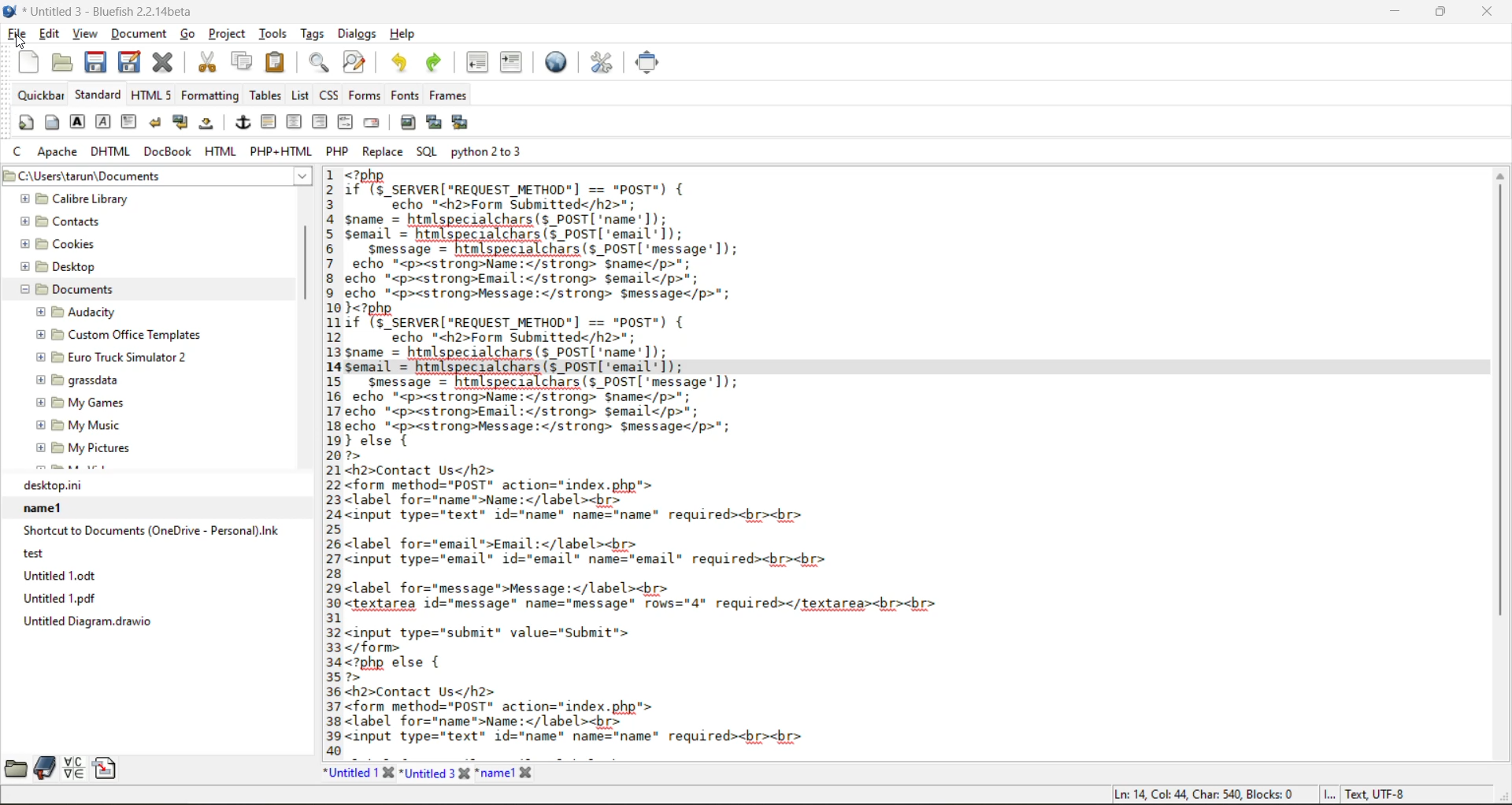 Image resolution: width=1512 pixels, height=805 pixels. What do you see at coordinates (24, 62) in the screenshot?
I see `new` at bounding box center [24, 62].